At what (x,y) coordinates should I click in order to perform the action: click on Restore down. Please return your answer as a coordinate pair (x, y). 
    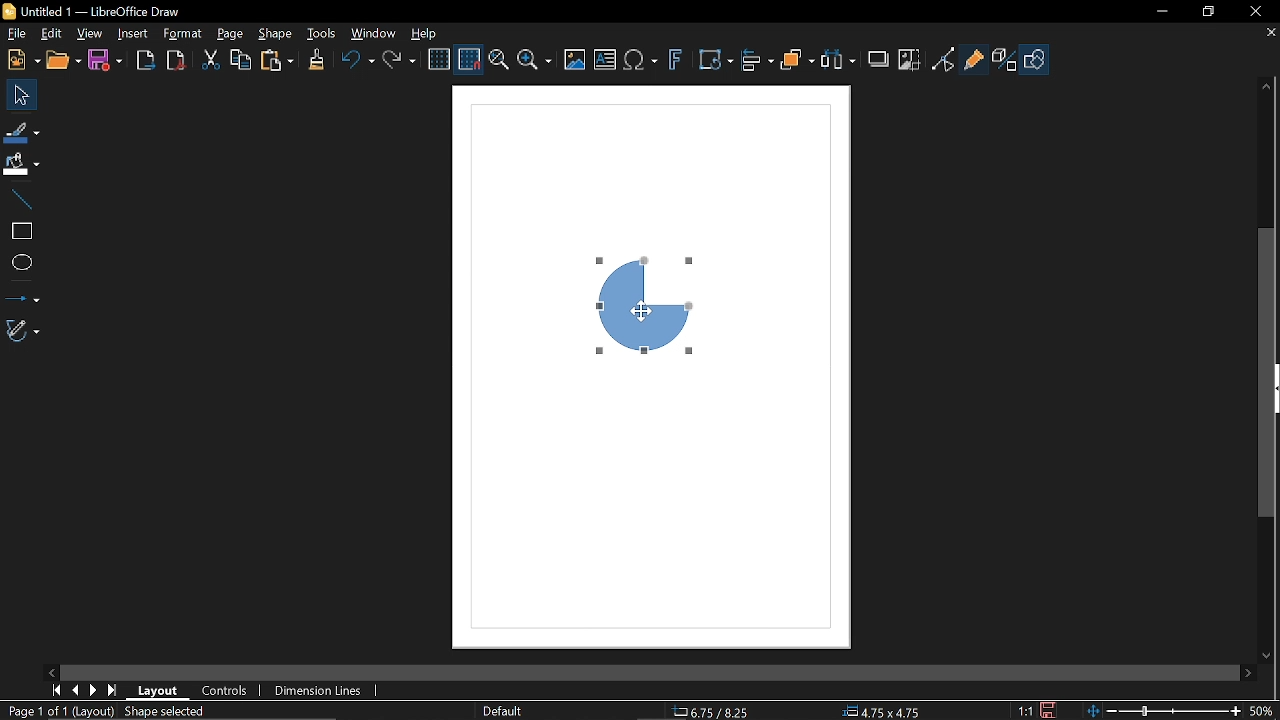
    Looking at the image, I should click on (1207, 10).